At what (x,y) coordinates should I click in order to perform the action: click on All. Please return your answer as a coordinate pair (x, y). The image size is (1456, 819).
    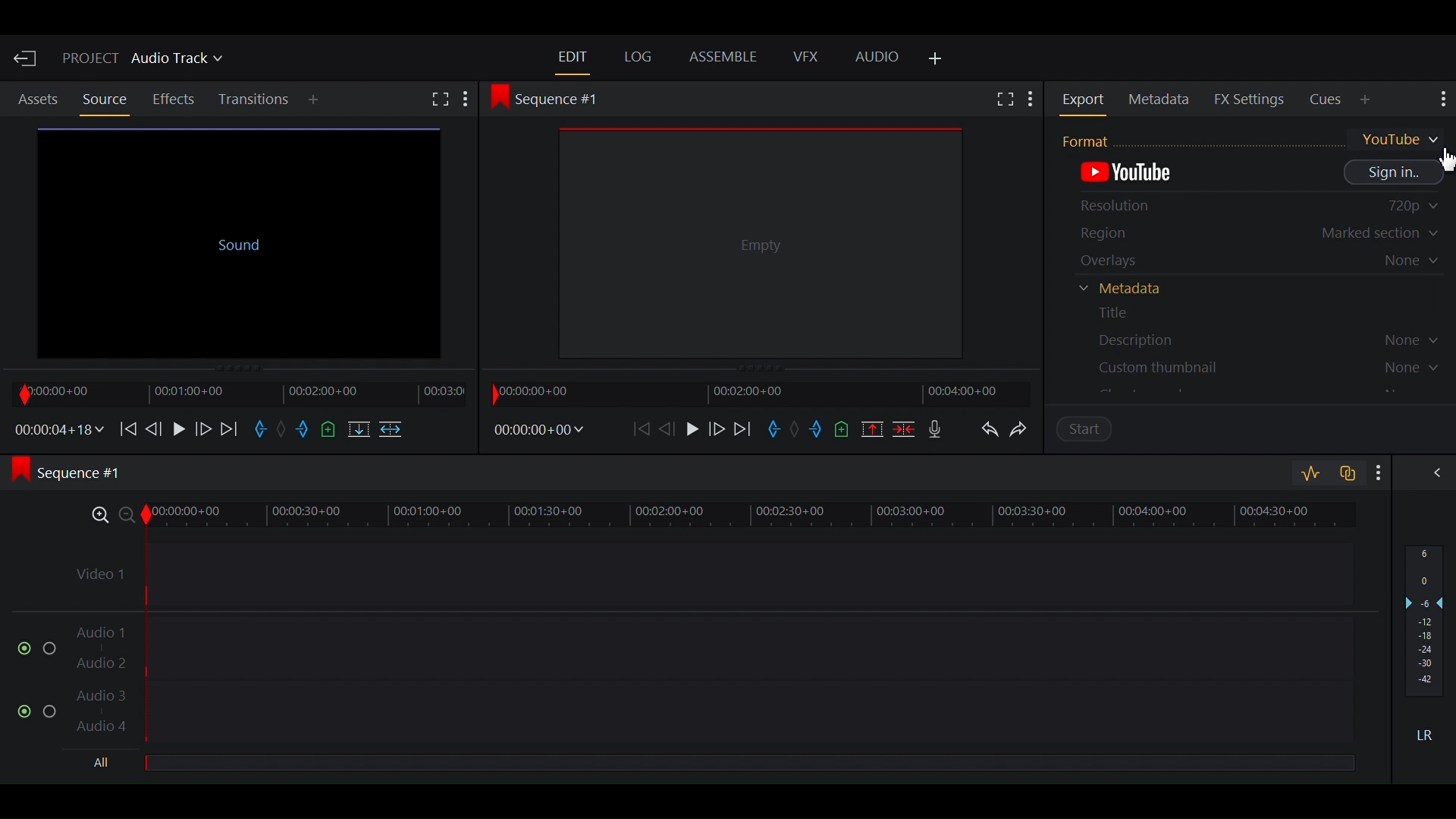
    Looking at the image, I should click on (748, 764).